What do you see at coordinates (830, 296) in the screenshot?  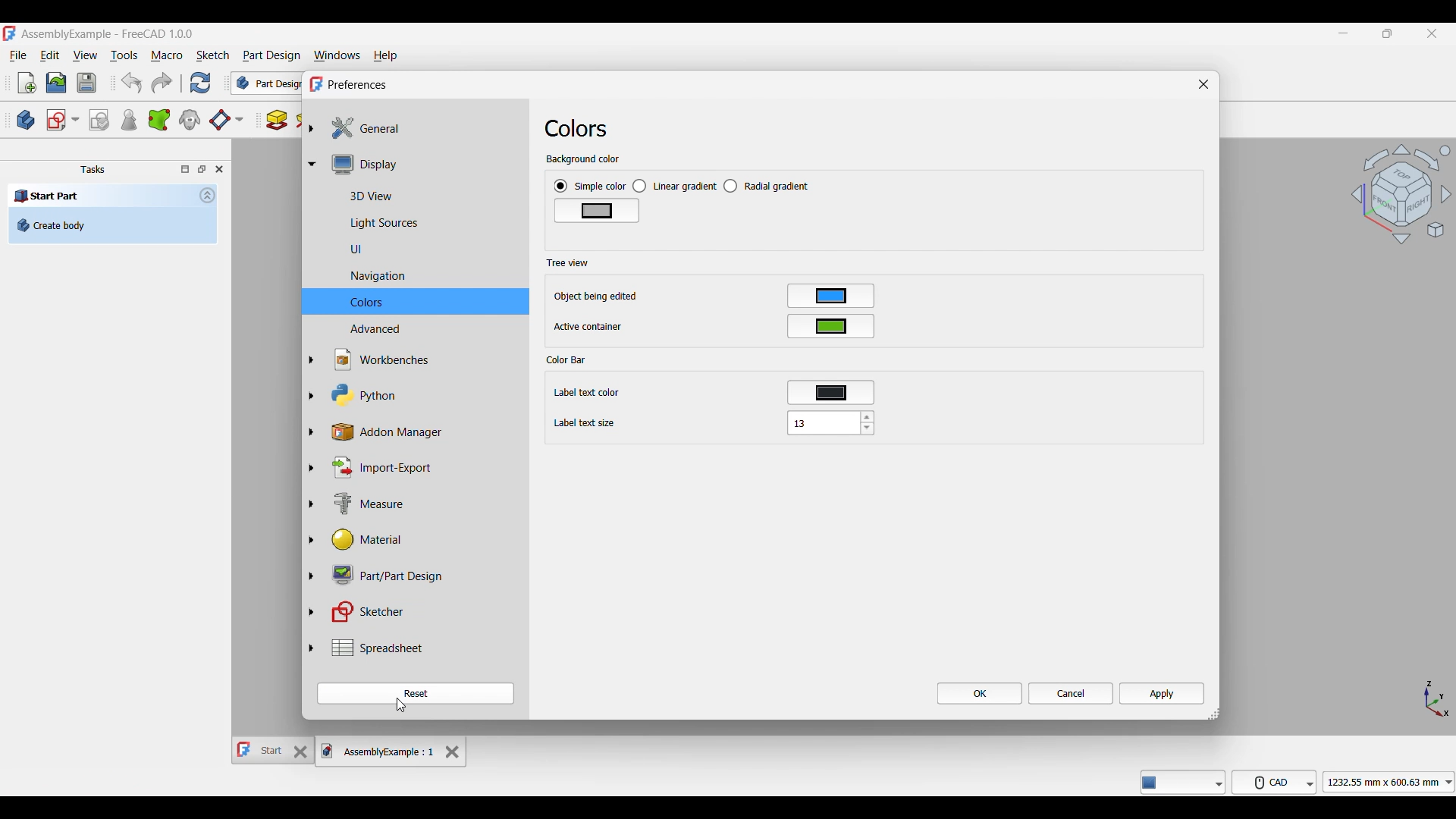 I see `Color settings for object being edited` at bounding box center [830, 296].